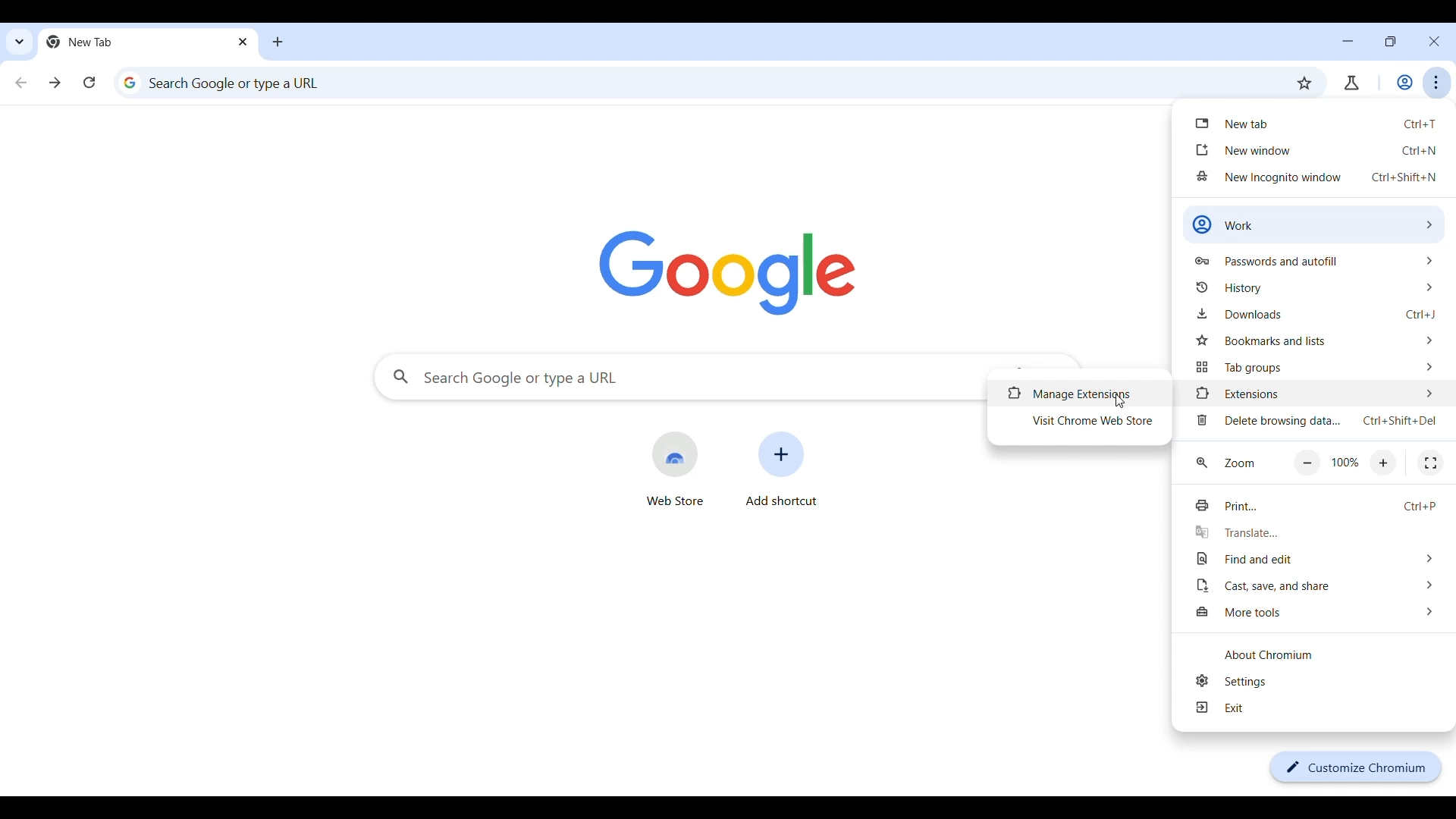  What do you see at coordinates (1313, 224) in the screenshot?
I see `Work options` at bounding box center [1313, 224].